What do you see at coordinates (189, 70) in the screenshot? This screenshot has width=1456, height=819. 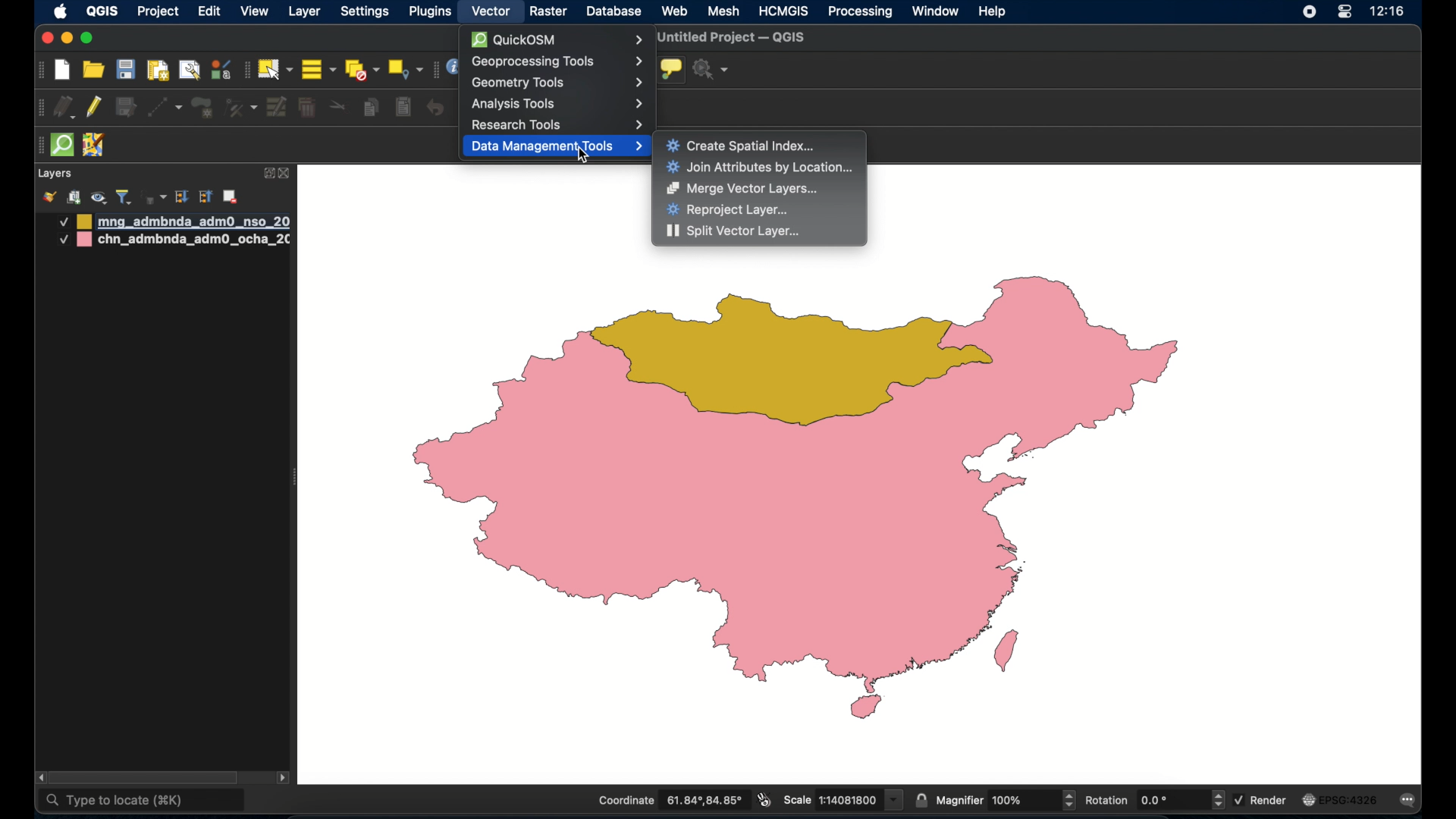 I see `open layout manager` at bounding box center [189, 70].